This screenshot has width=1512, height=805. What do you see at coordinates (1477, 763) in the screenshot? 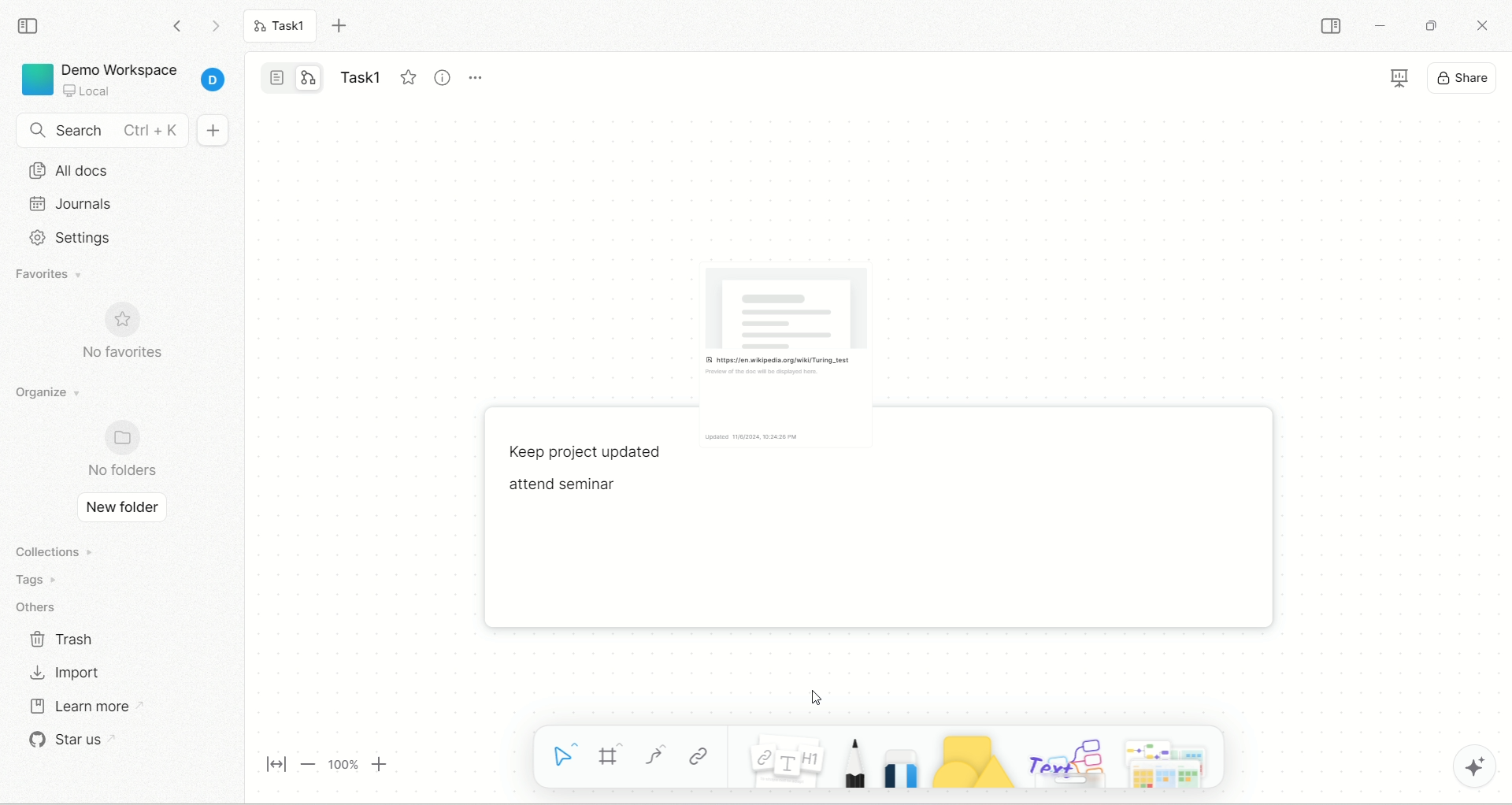
I see `AFFiNE AI` at bounding box center [1477, 763].